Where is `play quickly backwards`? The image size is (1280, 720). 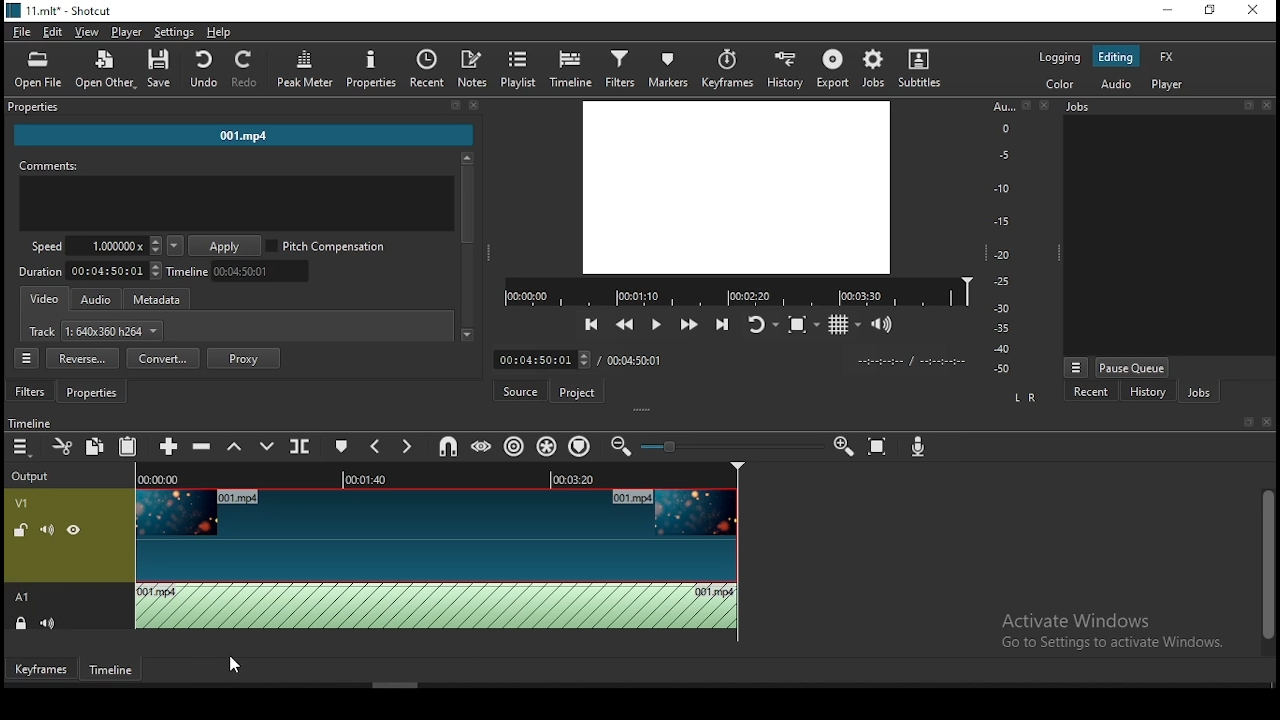 play quickly backwards is located at coordinates (626, 326).